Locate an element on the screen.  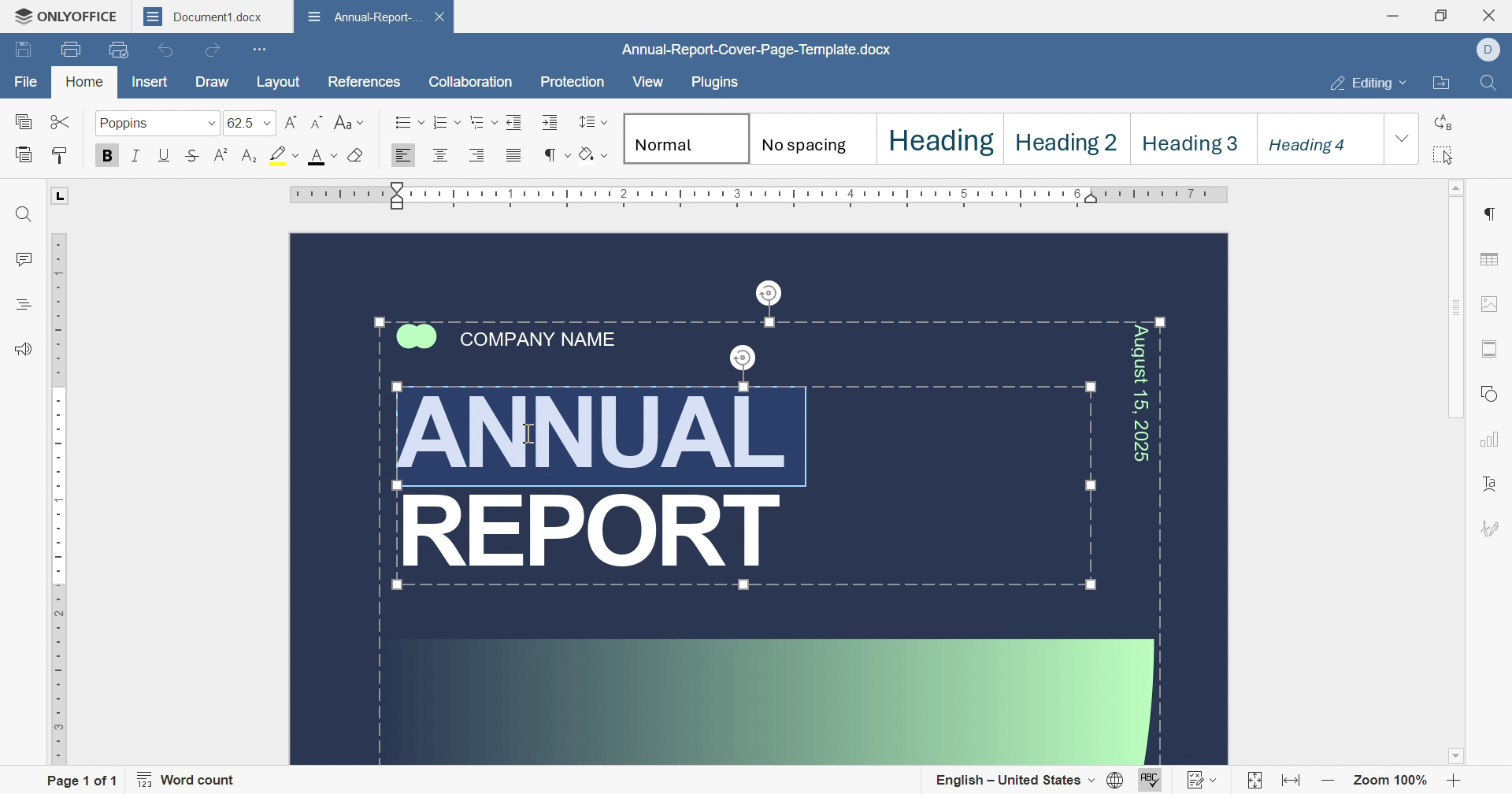
close is located at coordinates (440, 15).